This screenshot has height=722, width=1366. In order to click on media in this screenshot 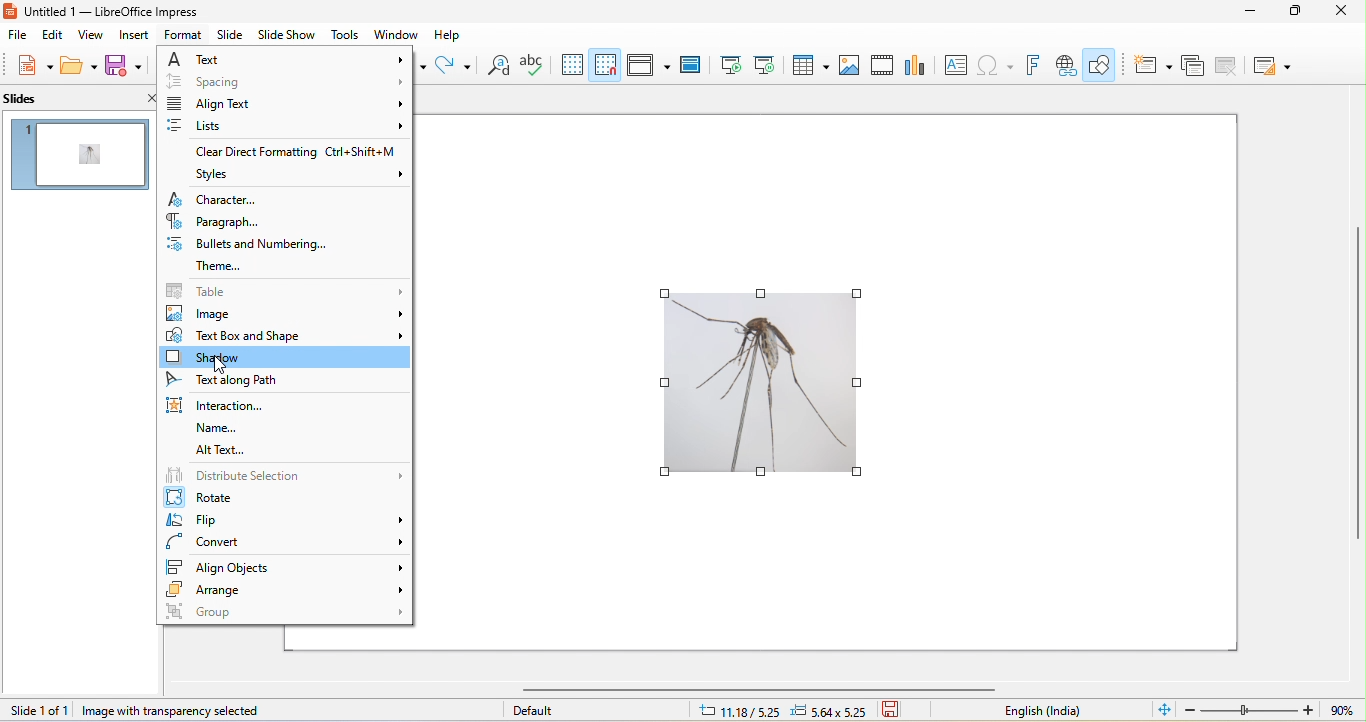, I will do `click(882, 65)`.